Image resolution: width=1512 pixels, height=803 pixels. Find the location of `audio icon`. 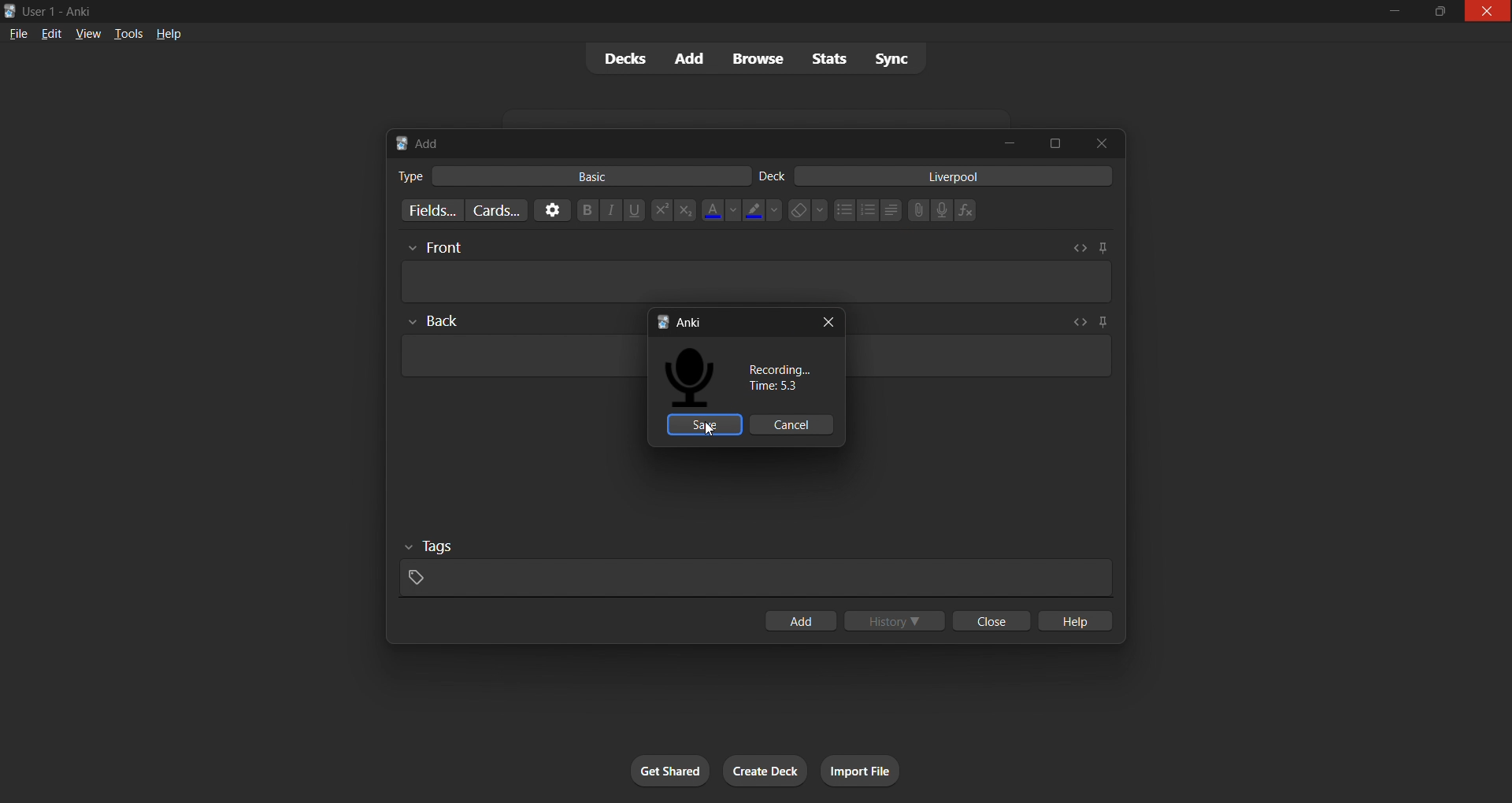

audio icon is located at coordinates (695, 377).